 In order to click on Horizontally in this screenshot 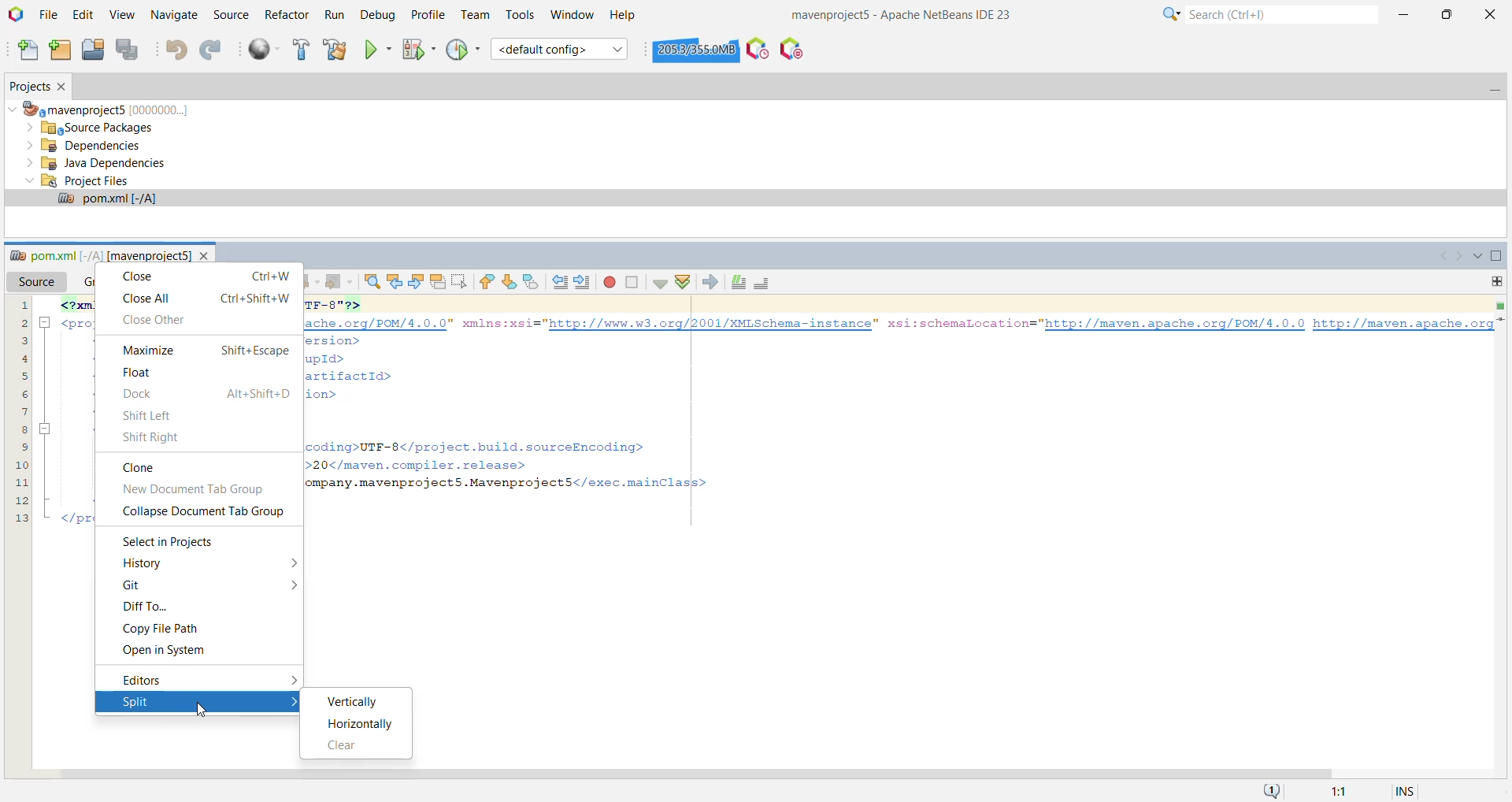, I will do `click(362, 725)`.